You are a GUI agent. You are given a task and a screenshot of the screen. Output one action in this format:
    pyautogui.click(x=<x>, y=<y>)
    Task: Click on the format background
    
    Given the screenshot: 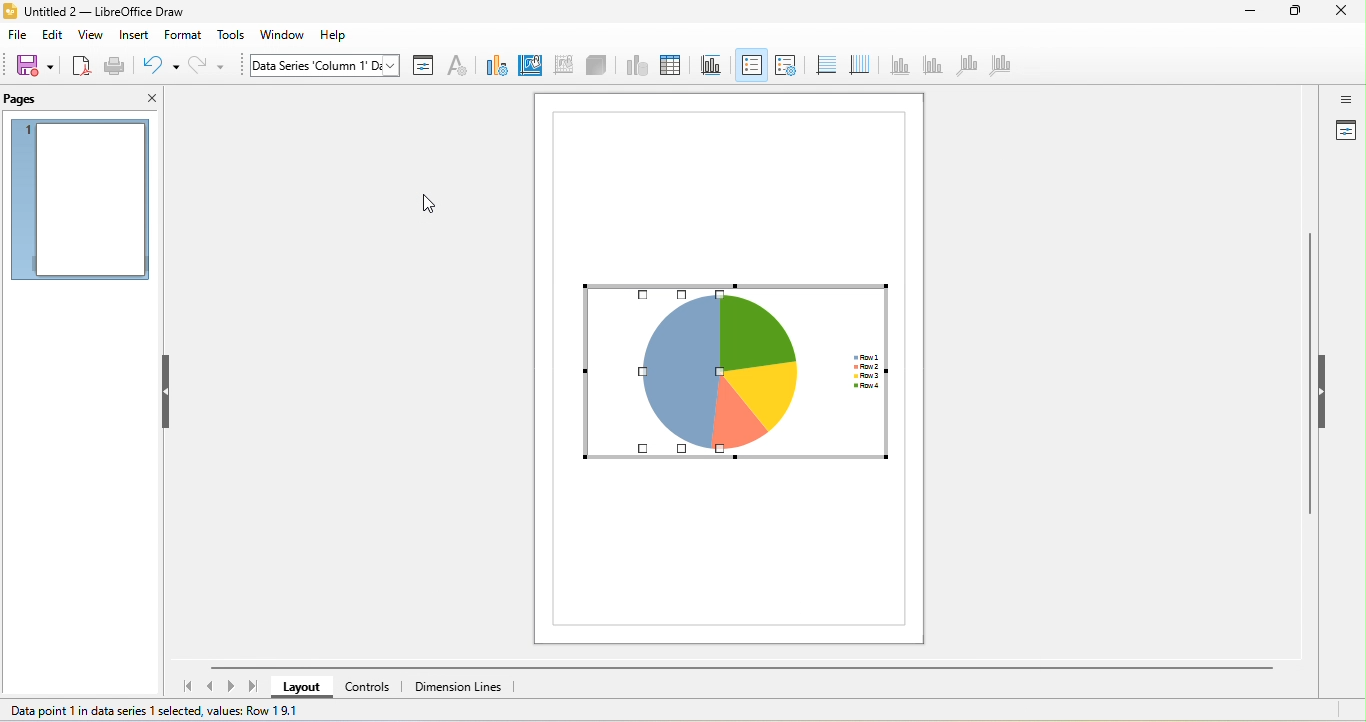 What is the action you would take?
    pyautogui.click(x=529, y=65)
    